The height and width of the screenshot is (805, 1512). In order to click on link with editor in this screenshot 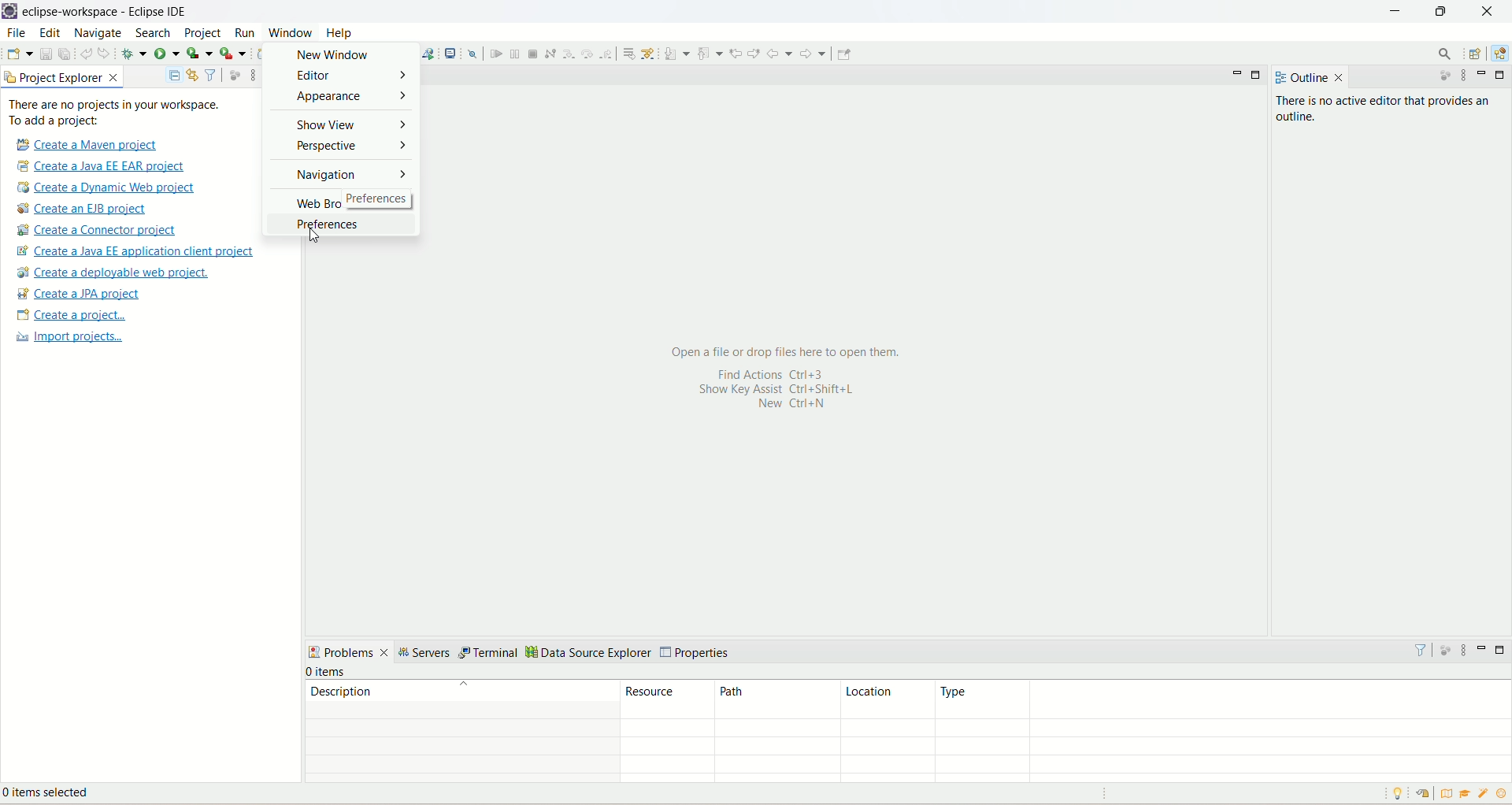, I will do `click(193, 75)`.